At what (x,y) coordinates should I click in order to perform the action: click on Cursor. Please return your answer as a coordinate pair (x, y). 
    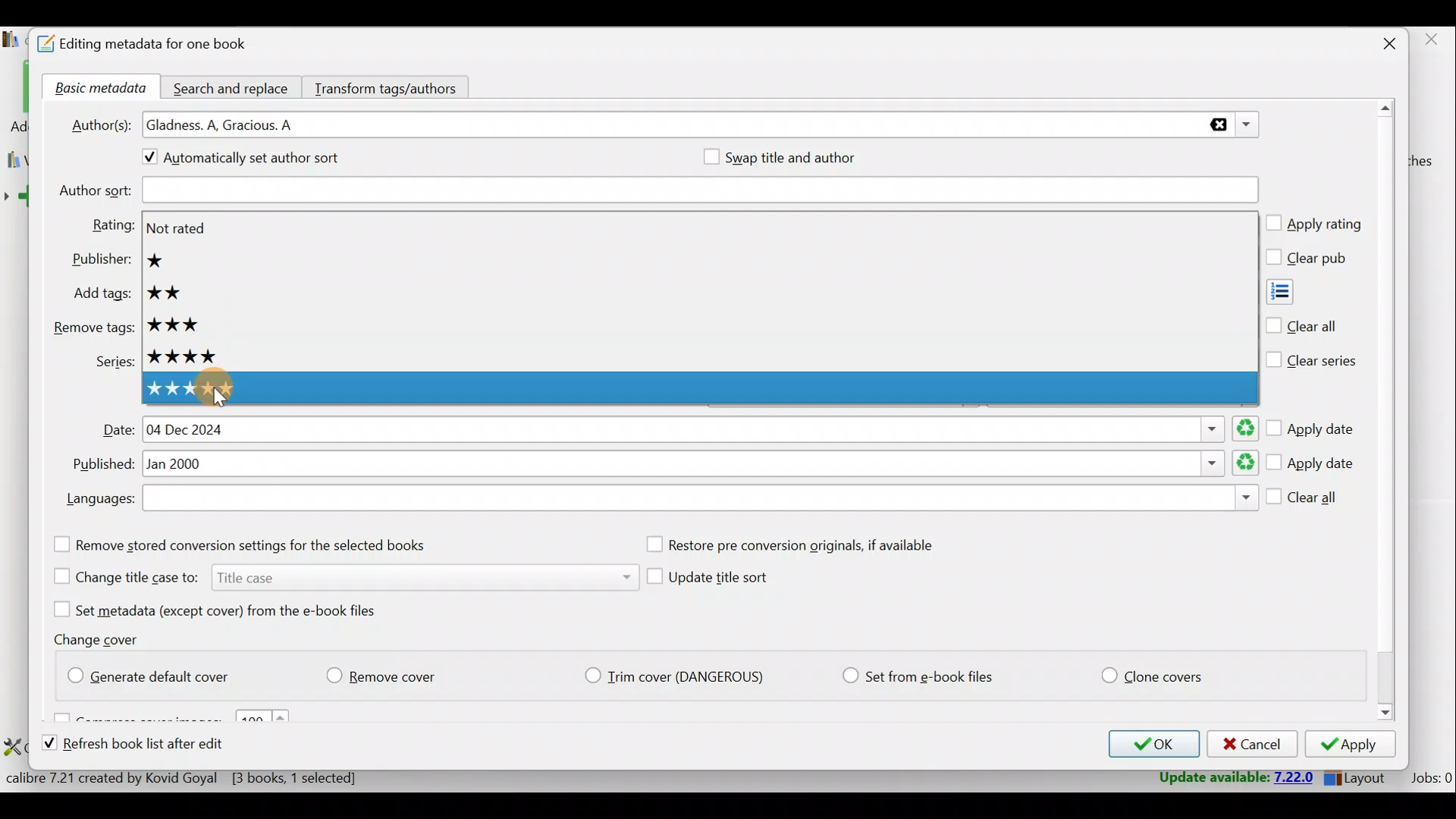
    Looking at the image, I should click on (222, 403).